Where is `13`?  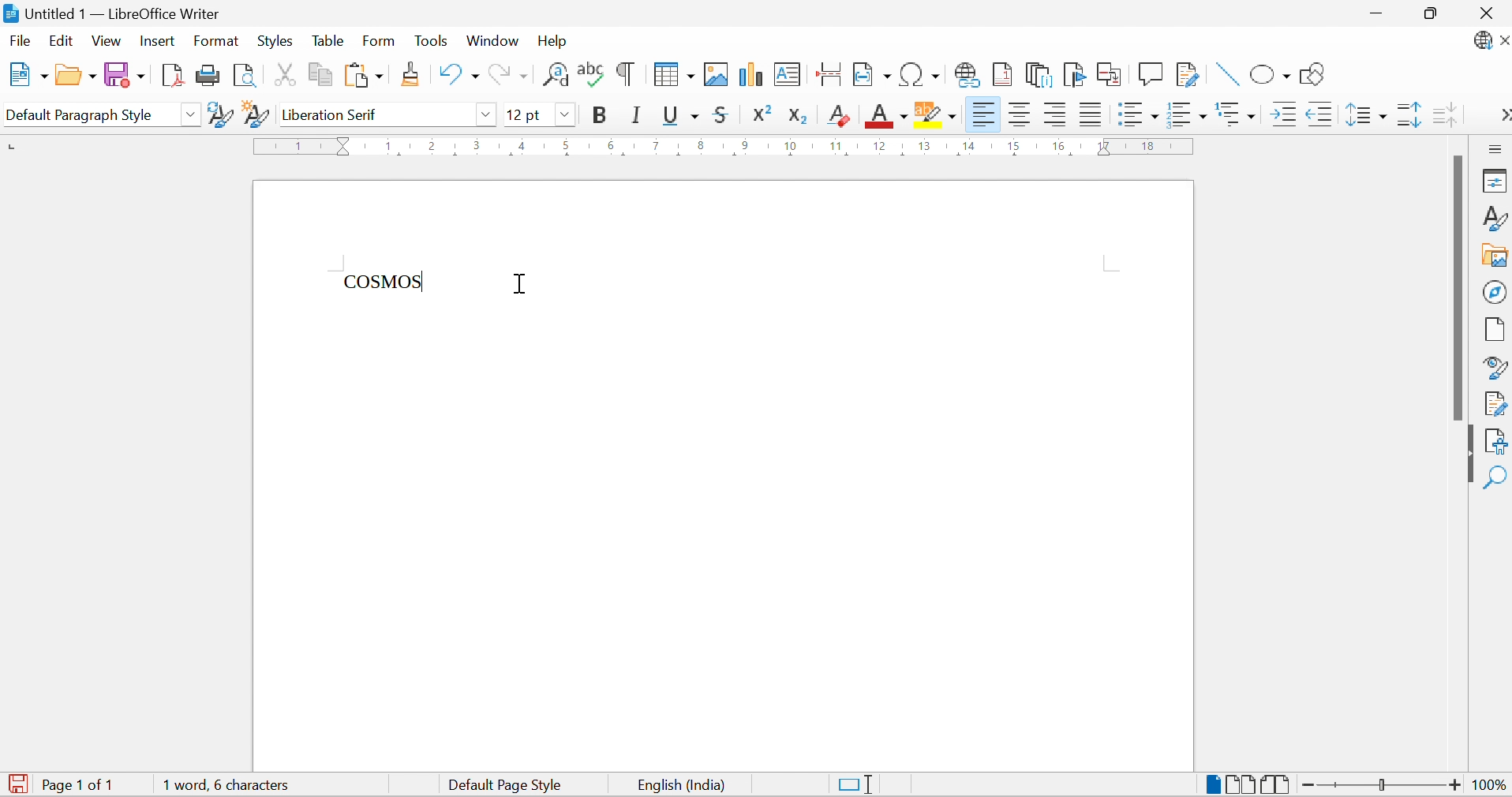 13 is located at coordinates (924, 146).